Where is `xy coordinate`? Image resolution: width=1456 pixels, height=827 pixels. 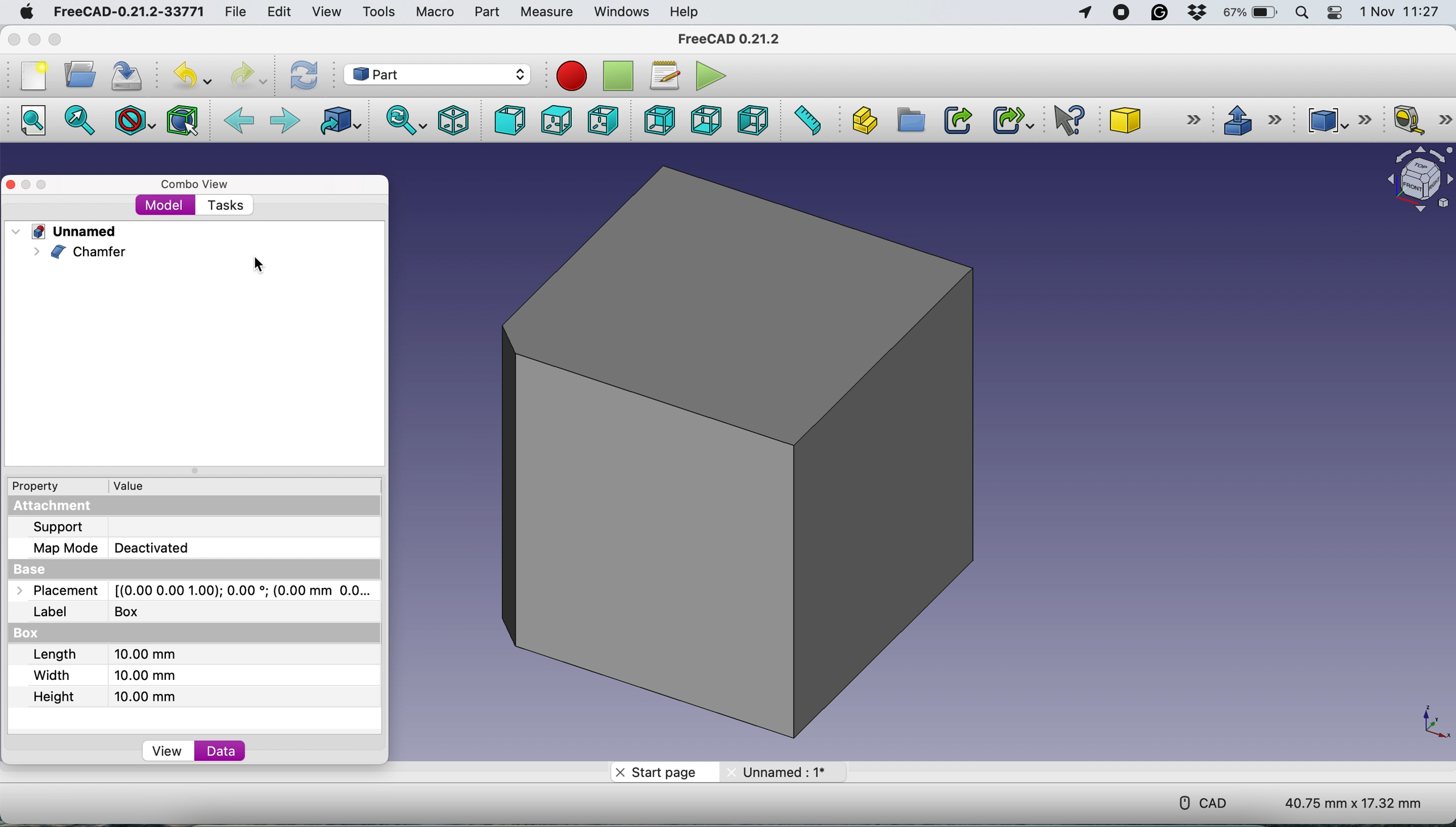 xy coordinate is located at coordinates (1430, 719).